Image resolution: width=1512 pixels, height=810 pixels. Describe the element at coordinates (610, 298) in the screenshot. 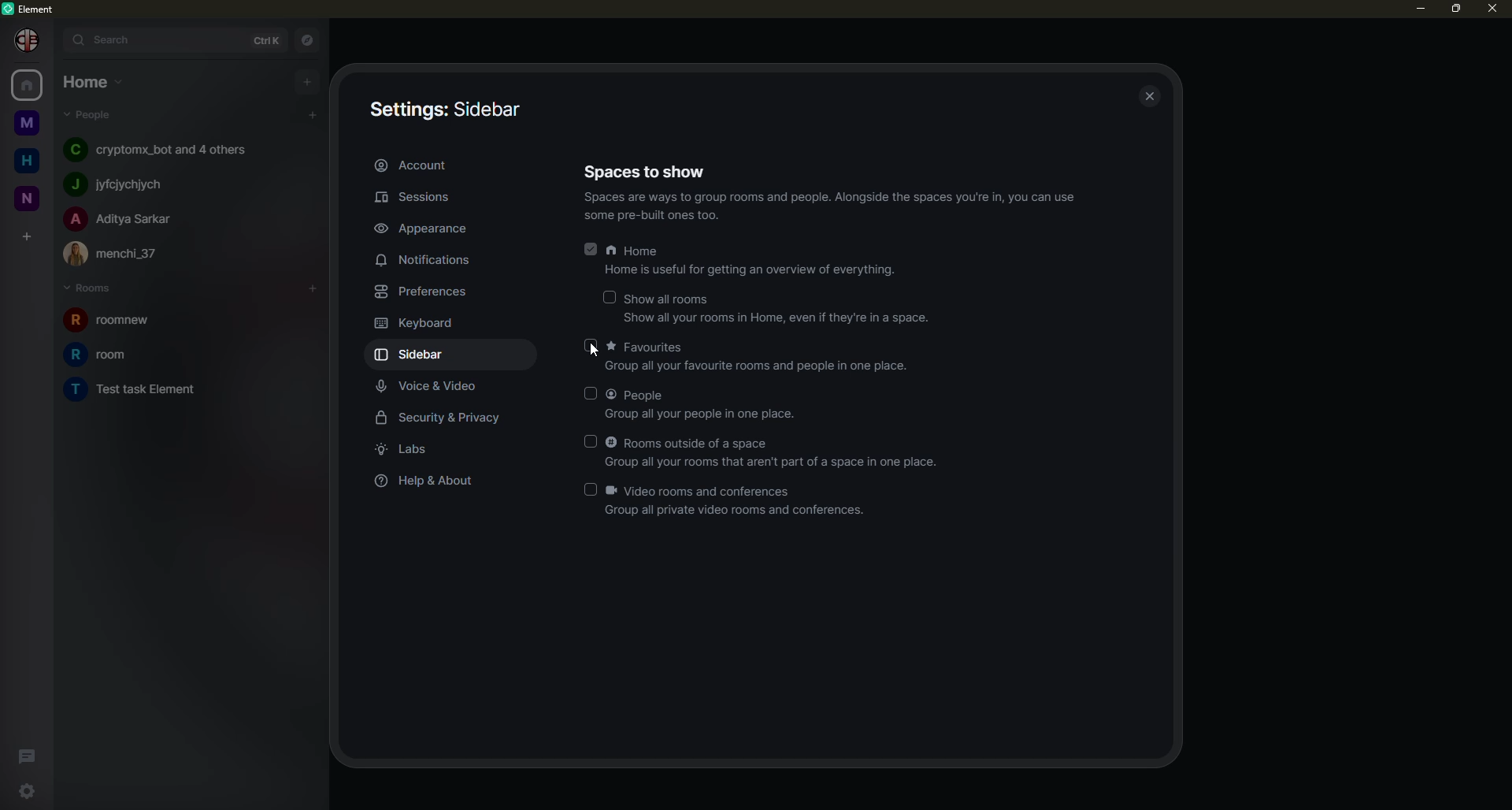

I see `click to enable` at that location.